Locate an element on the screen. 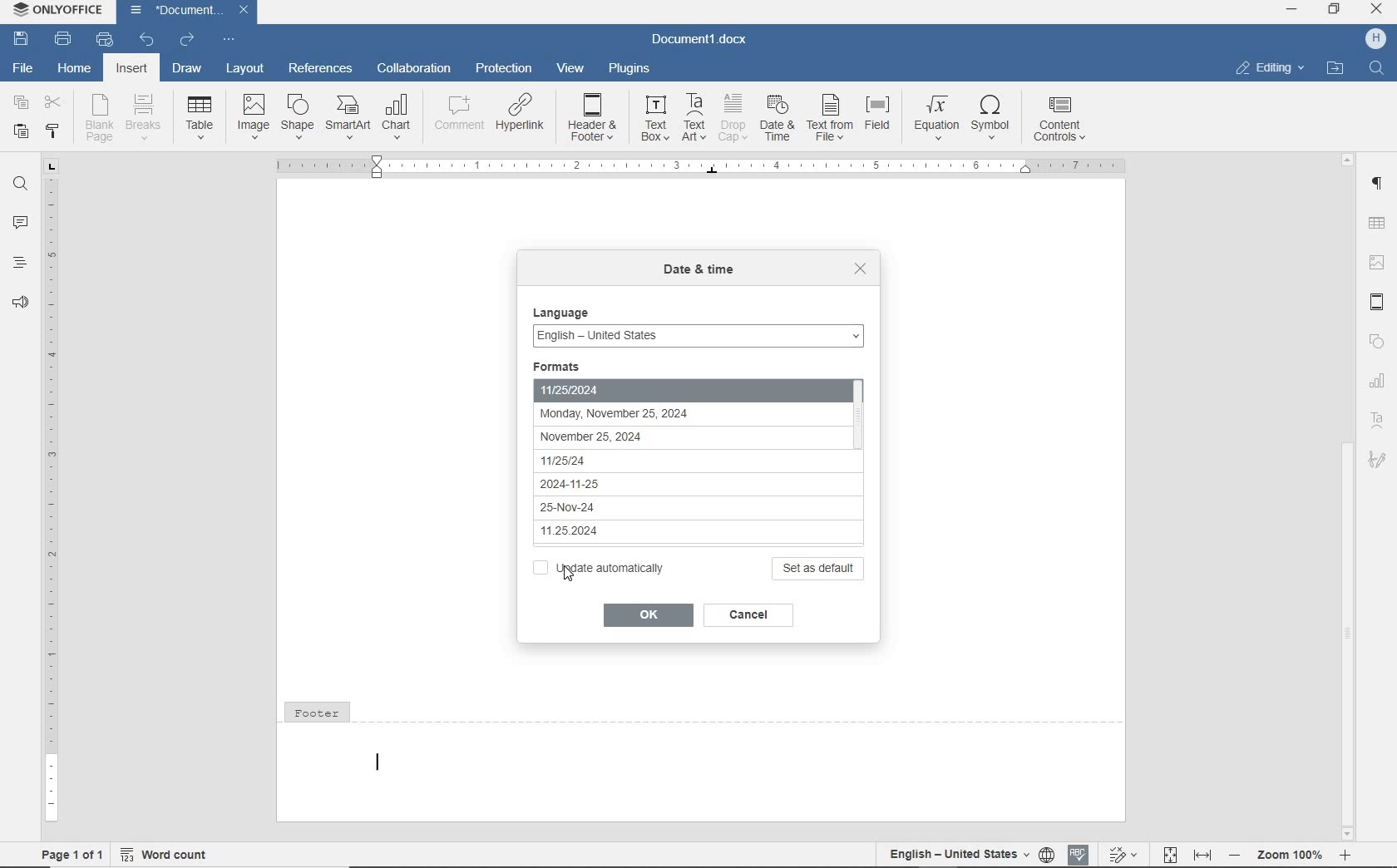  blank page is located at coordinates (101, 118).